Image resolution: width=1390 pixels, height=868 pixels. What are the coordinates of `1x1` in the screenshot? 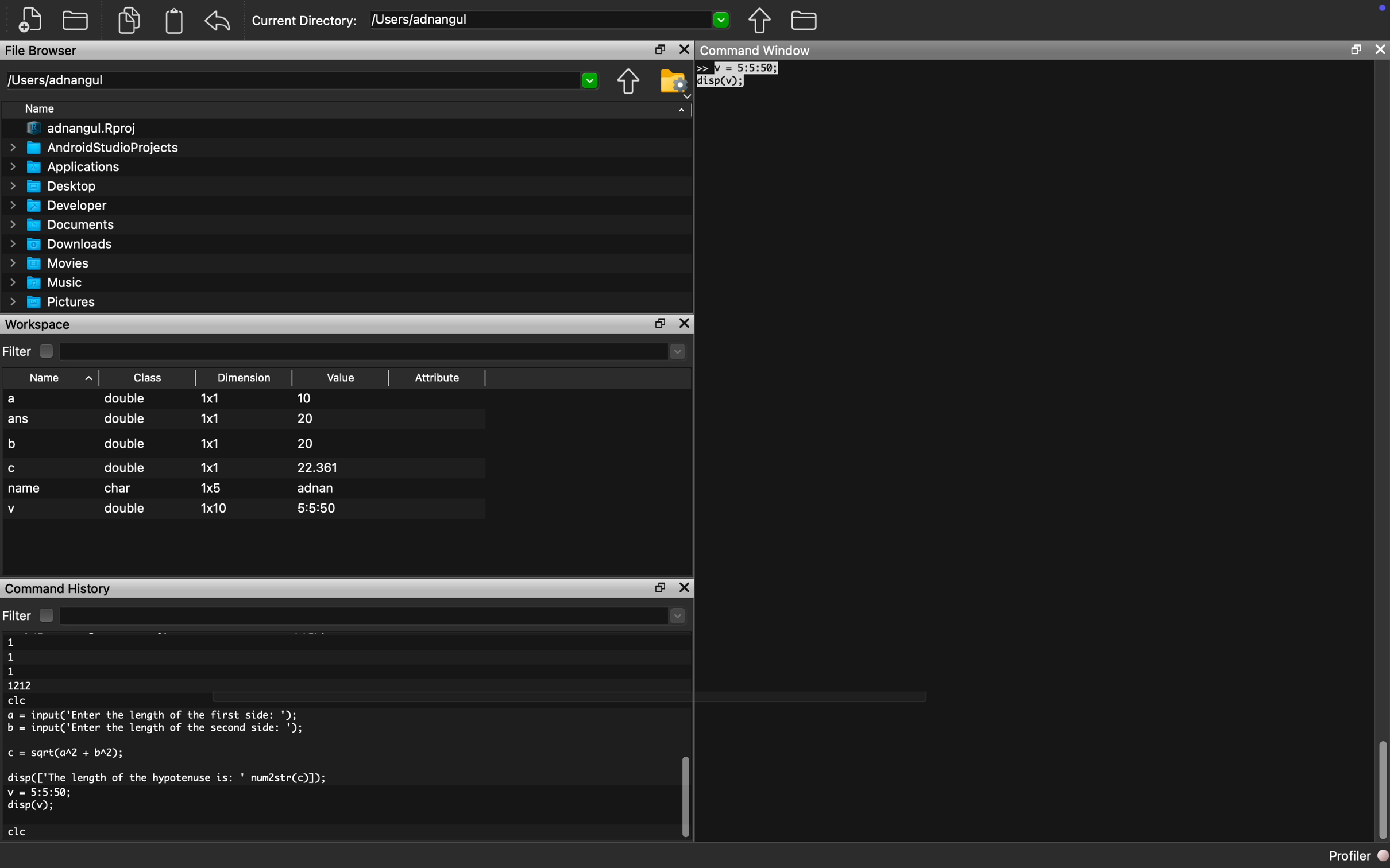 It's located at (213, 468).